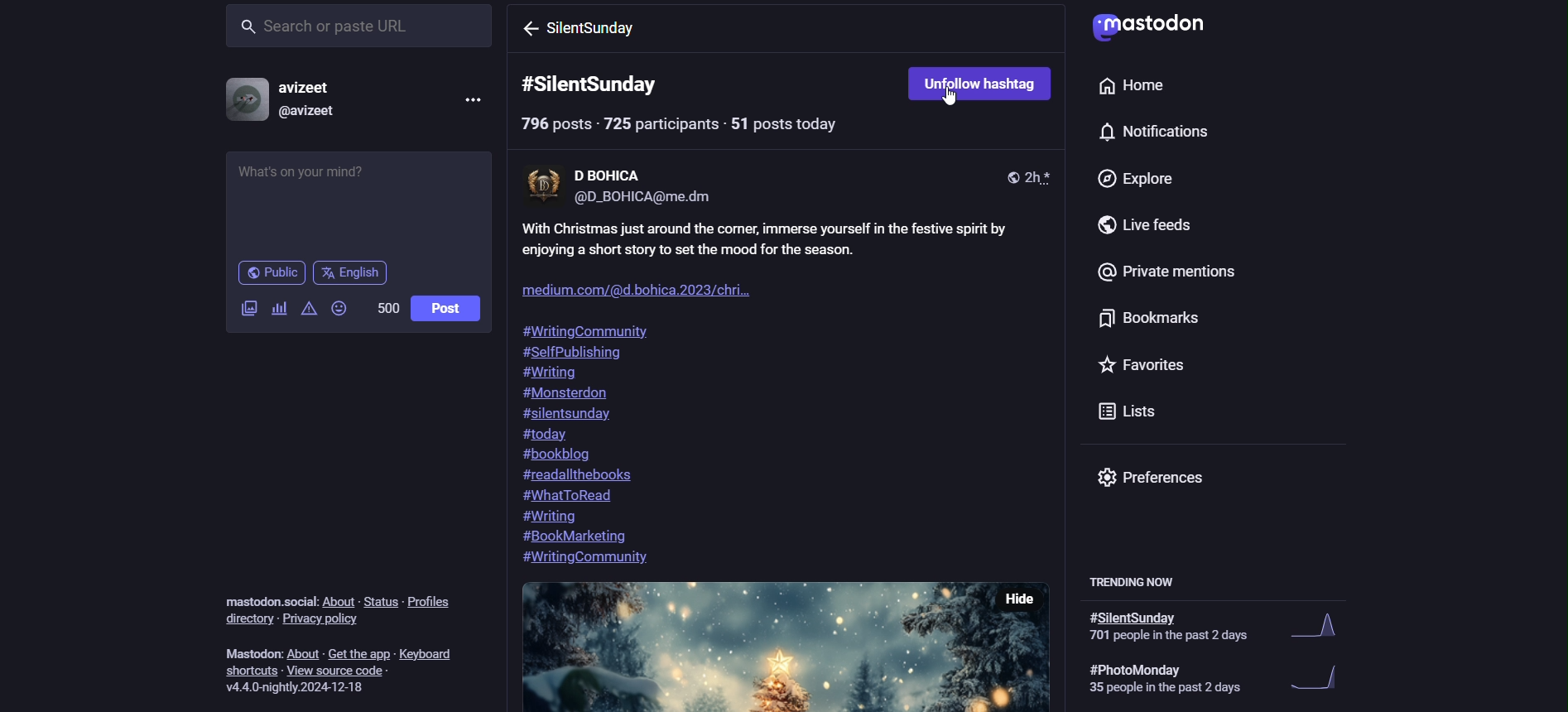 The width and height of the screenshot is (1568, 712). Describe the element at coordinates (653, 176) in the screenshot. I see `D BOHICA` at that location.